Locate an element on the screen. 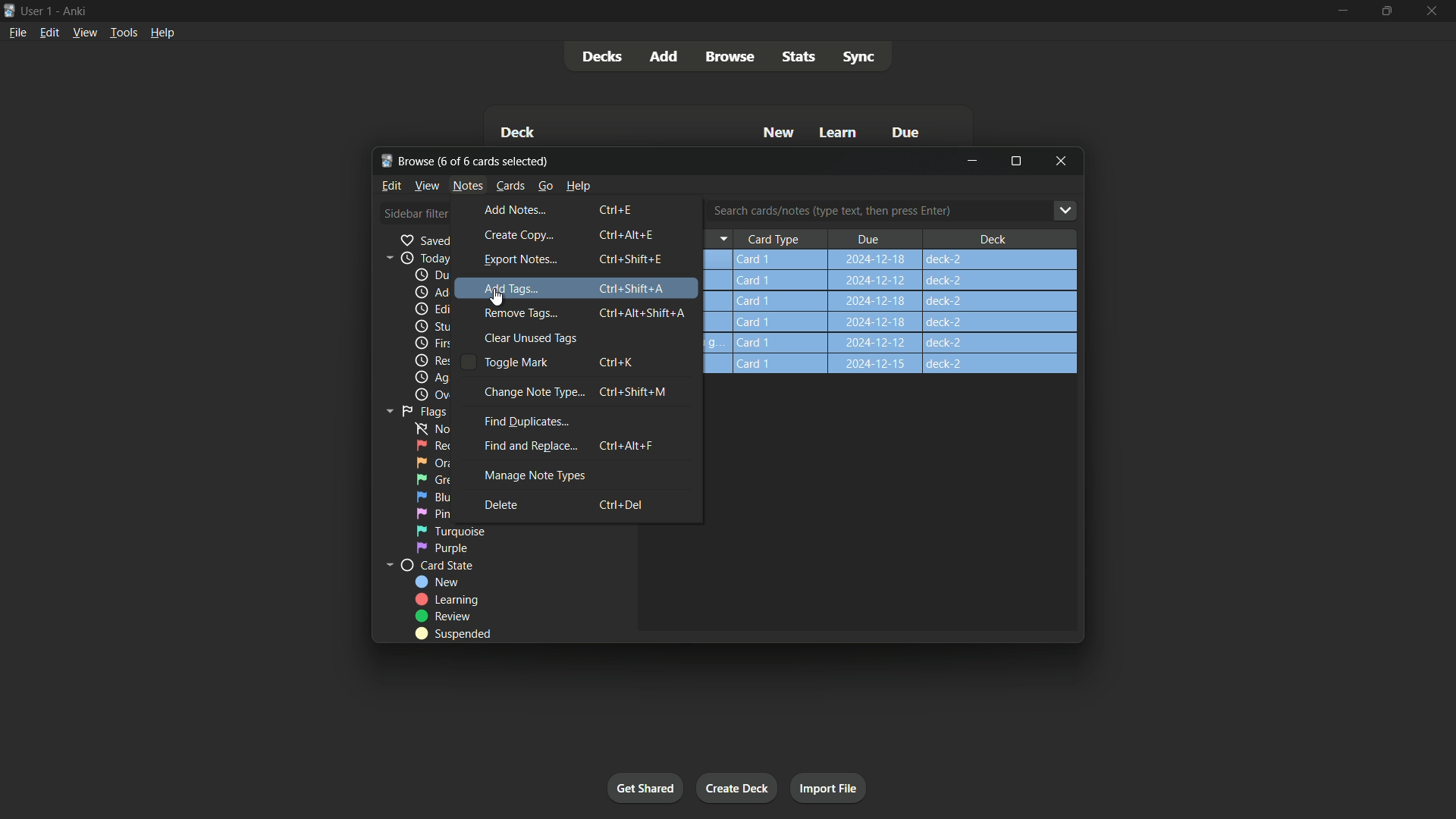  step-2 Card1 2024-12-18 deck-2 Q)50)2+5Q)7+4 Card1 2024-12-18 deck-2  14+9 Card 1 how can youg.. Card 1 2024-12-18 deck-2  a Card 1 2024-12-18 deck-2  is located at coordinates (892, 311).